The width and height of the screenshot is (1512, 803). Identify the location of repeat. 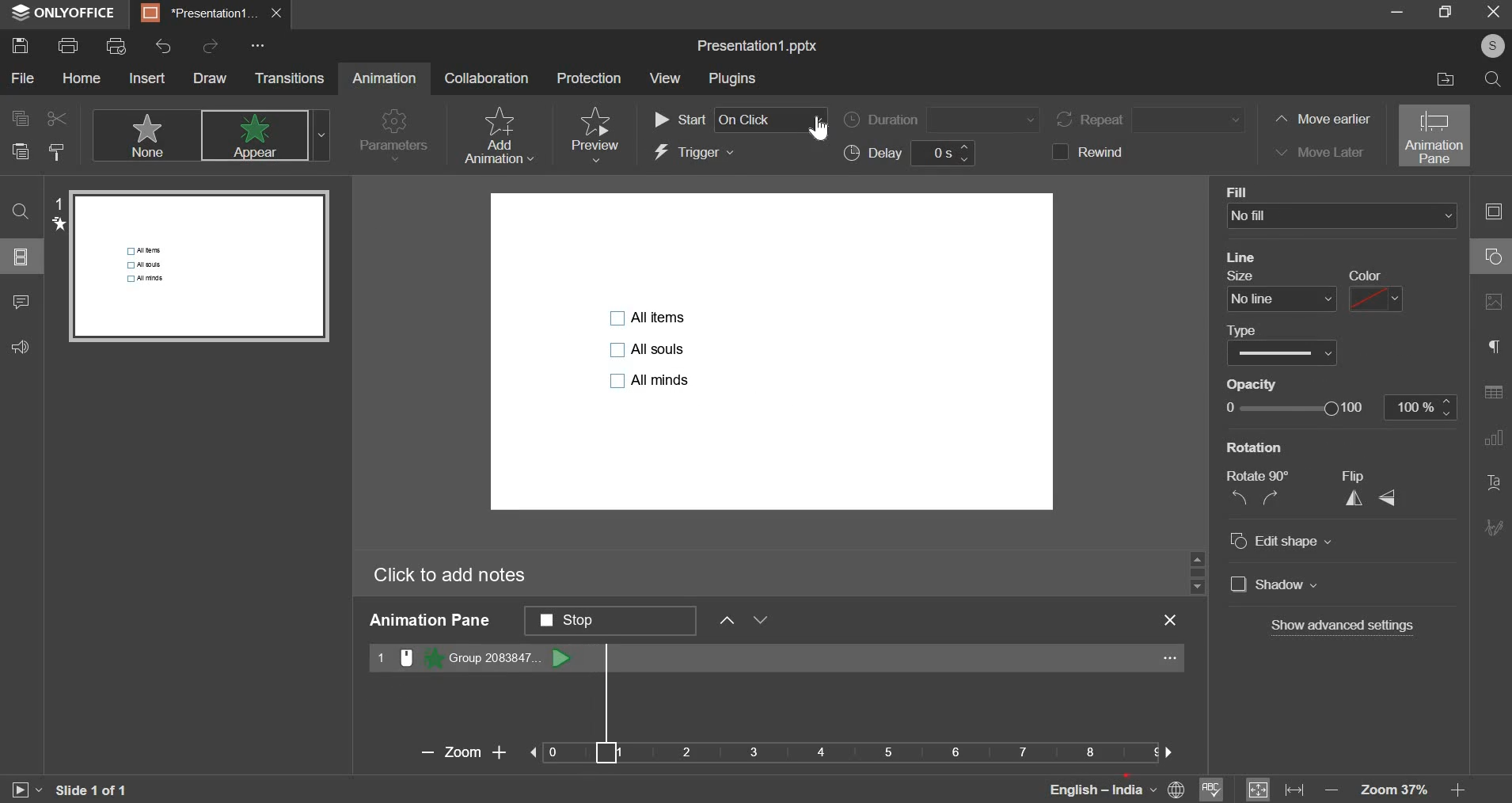
(1153, 120).